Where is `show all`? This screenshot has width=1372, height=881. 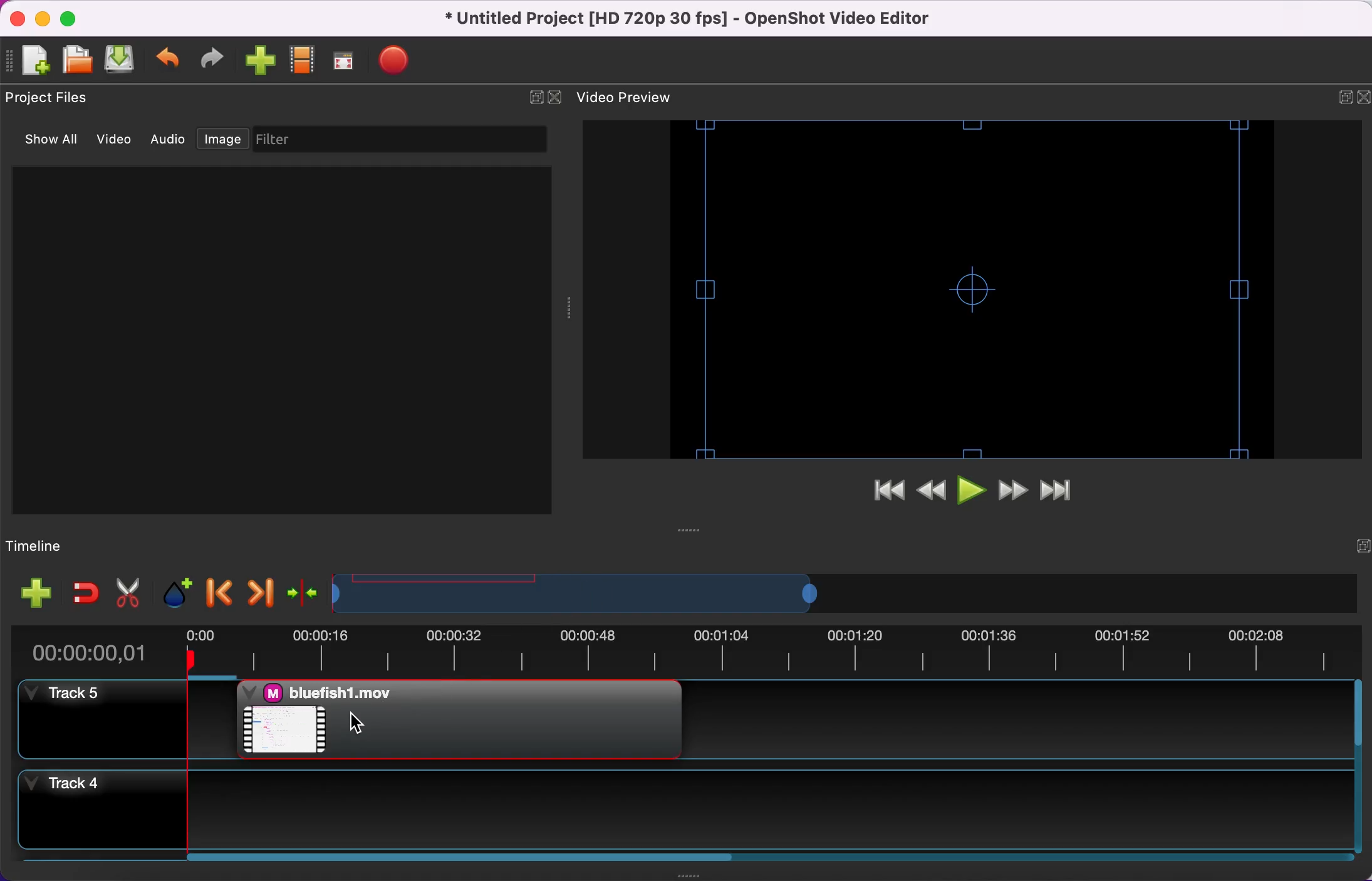 show all is located at coordinates (49, 143).